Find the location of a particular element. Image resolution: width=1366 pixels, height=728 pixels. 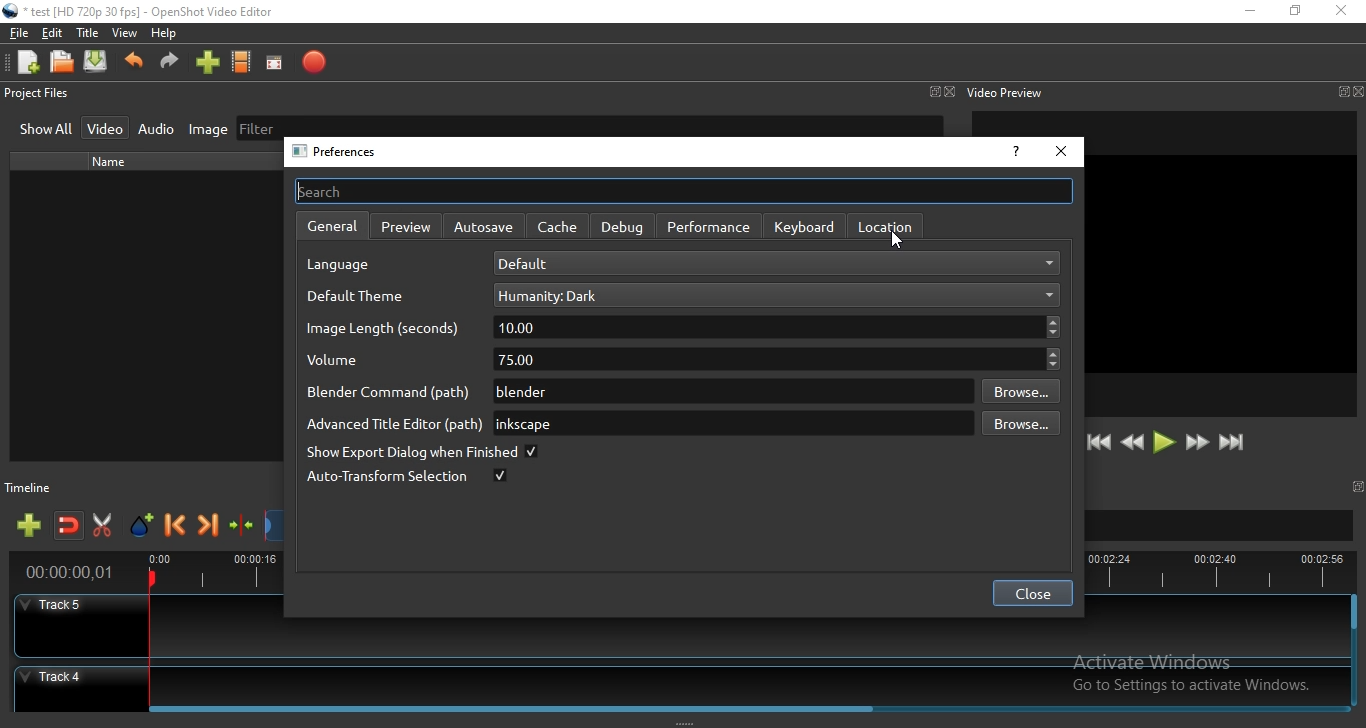

general is located at coordinates (329, 227).